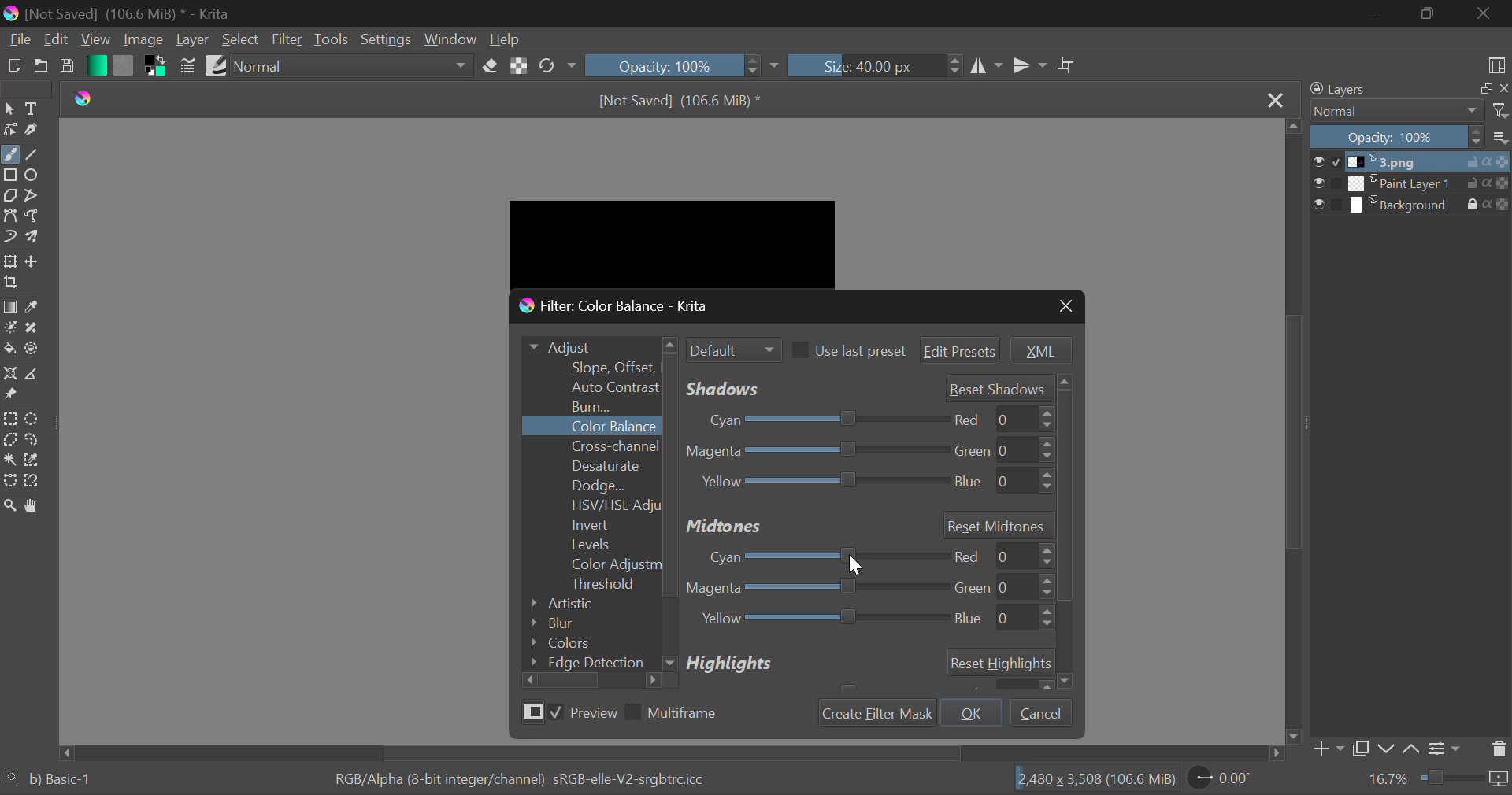 The image size is (1512, 795). I want to click on Opacity 100%, so click(1395, 137).